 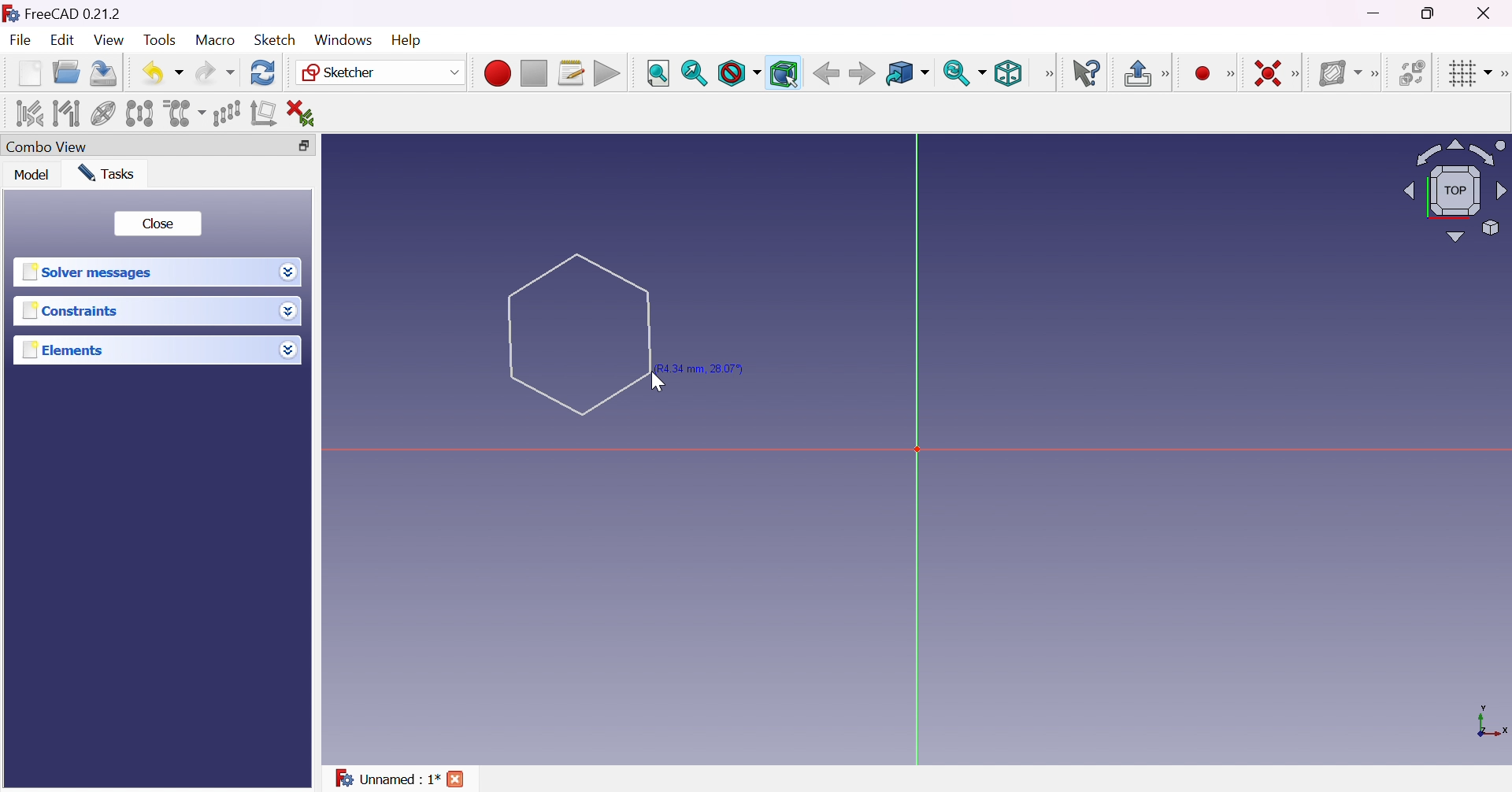 What do you see at coordinates (33, 174) in the screenshot?
I see `Model` at bounding box center [33, 174].